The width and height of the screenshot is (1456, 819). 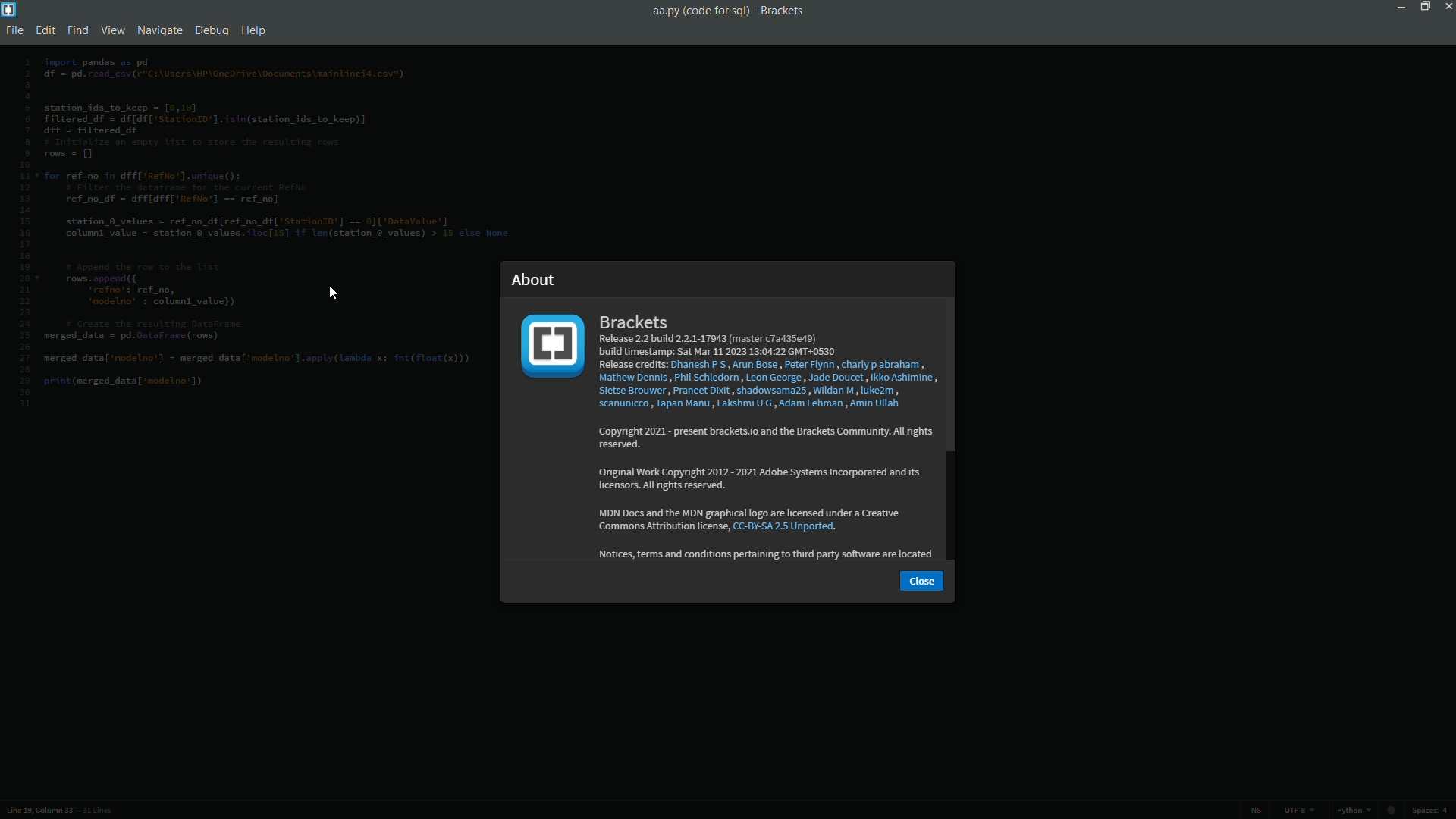 What do you see at coordinates (1300, 811) in the screenshot?
I see `line encoding` at bounding box center [1300, 811].